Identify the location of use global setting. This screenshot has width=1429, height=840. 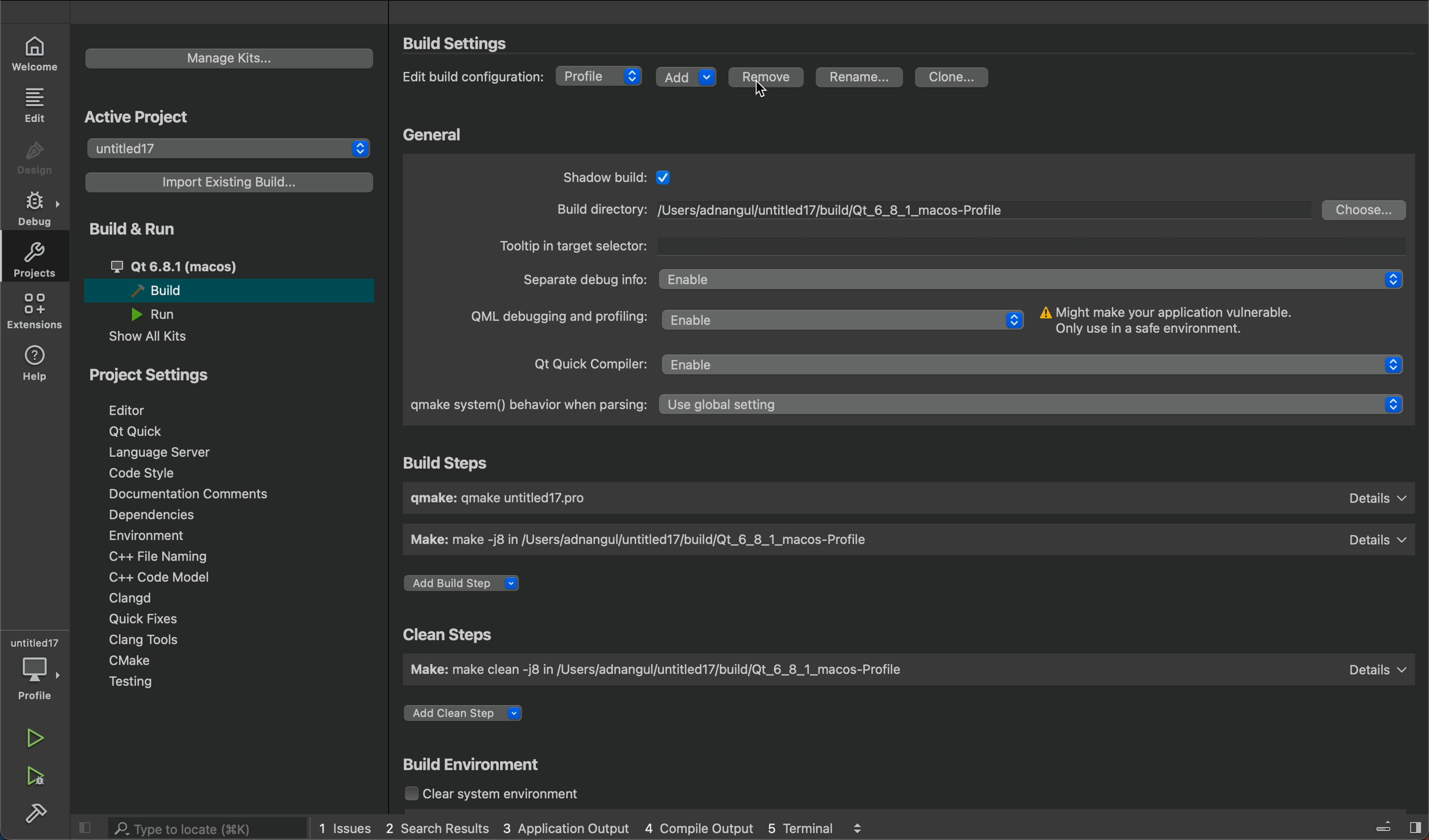
(1038, 406).